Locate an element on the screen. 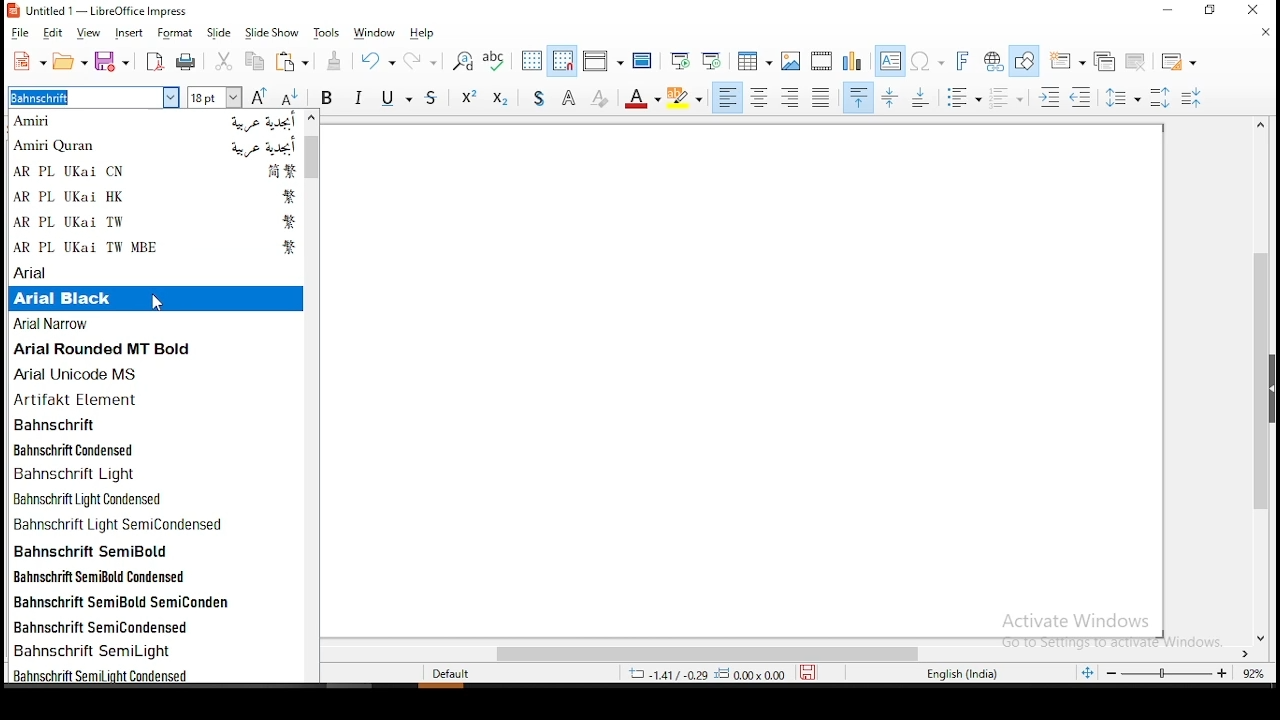 The width and height of the screenshot is (1280, 720). set line spacing is located at coordinates (1123, 95).